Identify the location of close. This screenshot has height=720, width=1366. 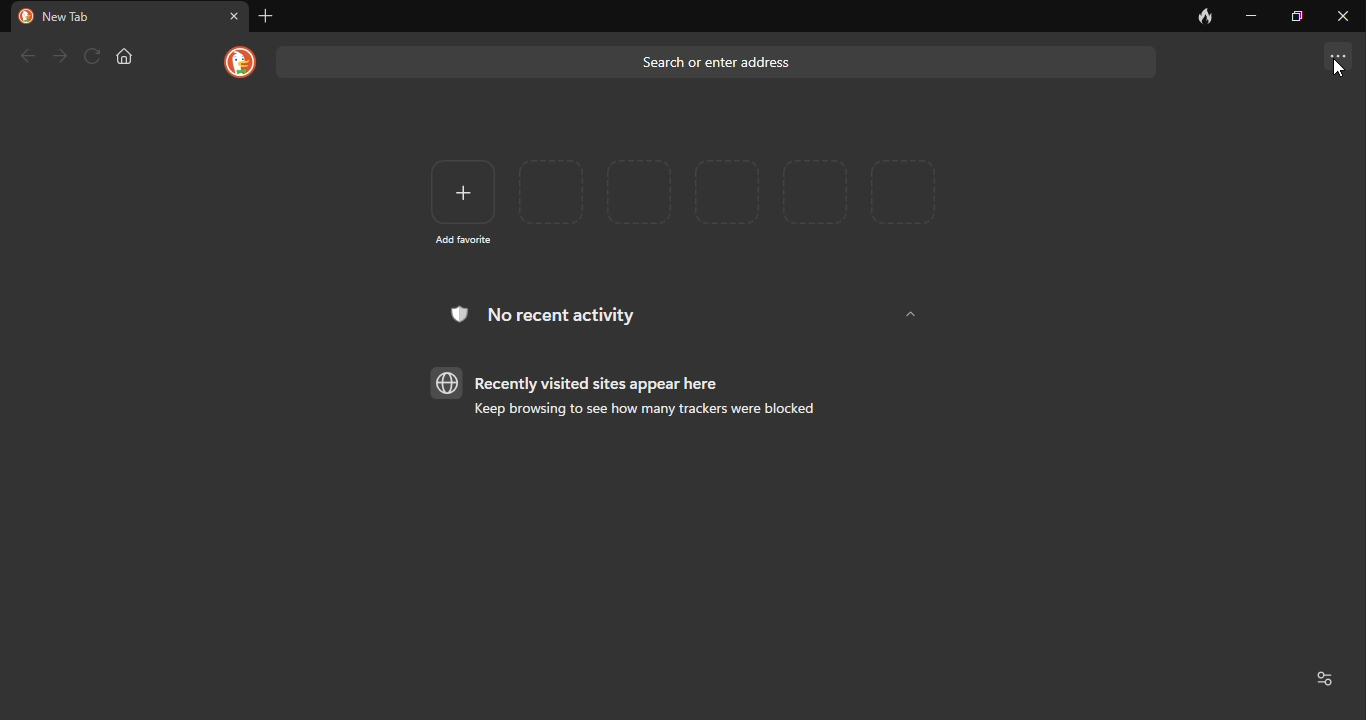
(234, 15).